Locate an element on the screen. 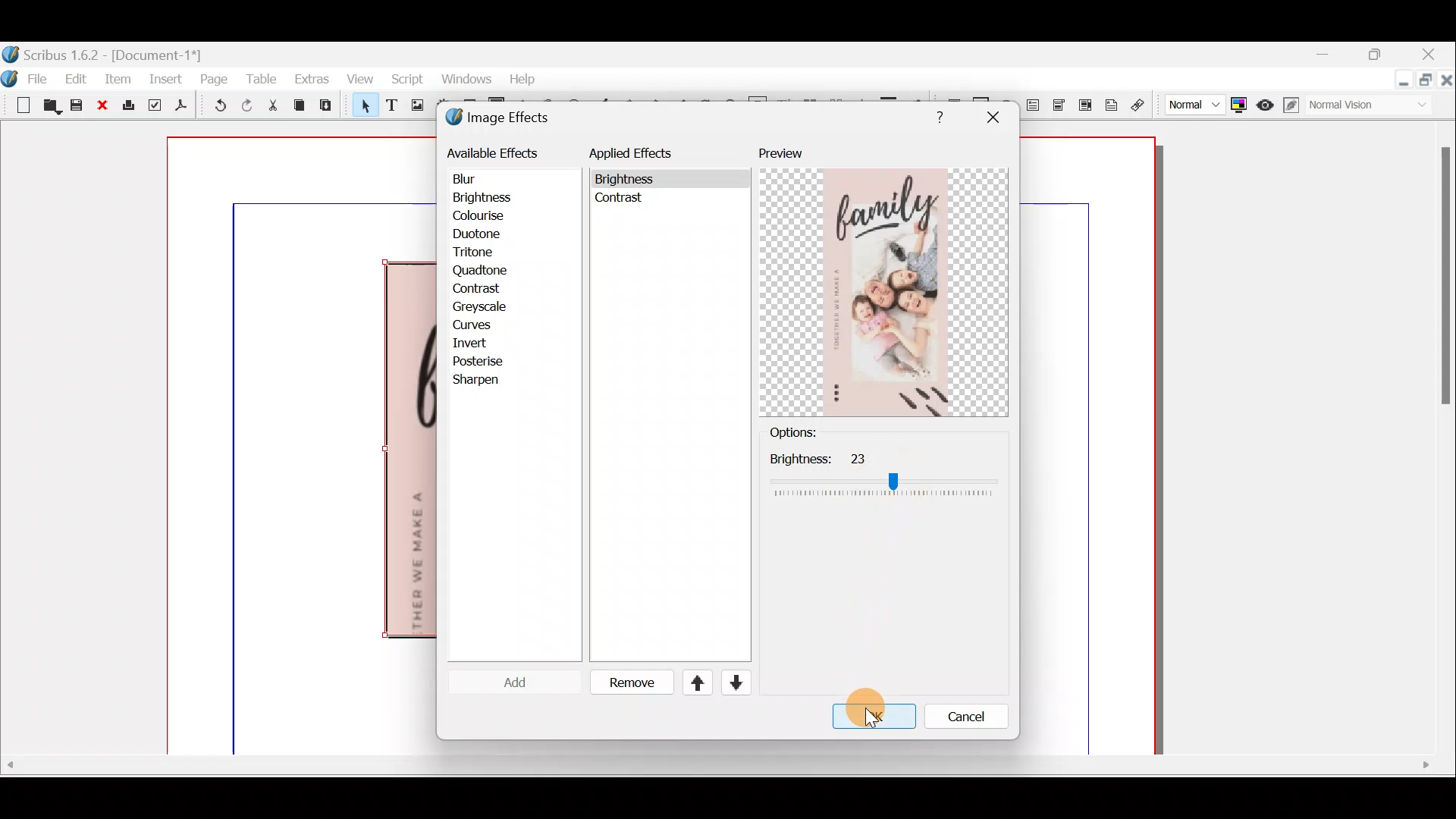 The height and width of the screenshot is (819, 1456). Edit in preview mode is located at coordinates (1294, 105).